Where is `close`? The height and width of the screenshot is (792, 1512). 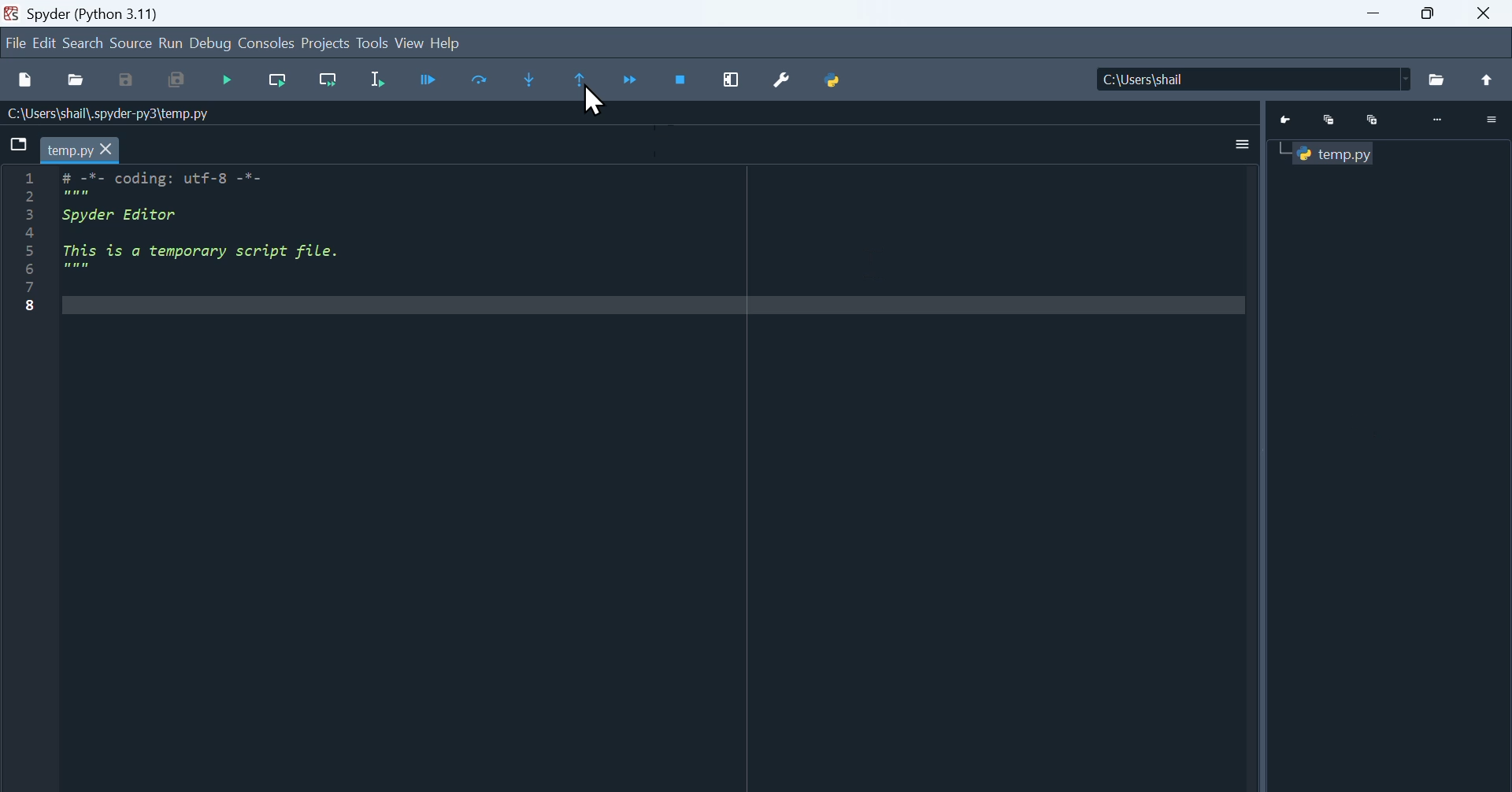 close is located at coordinates (1483, 13).